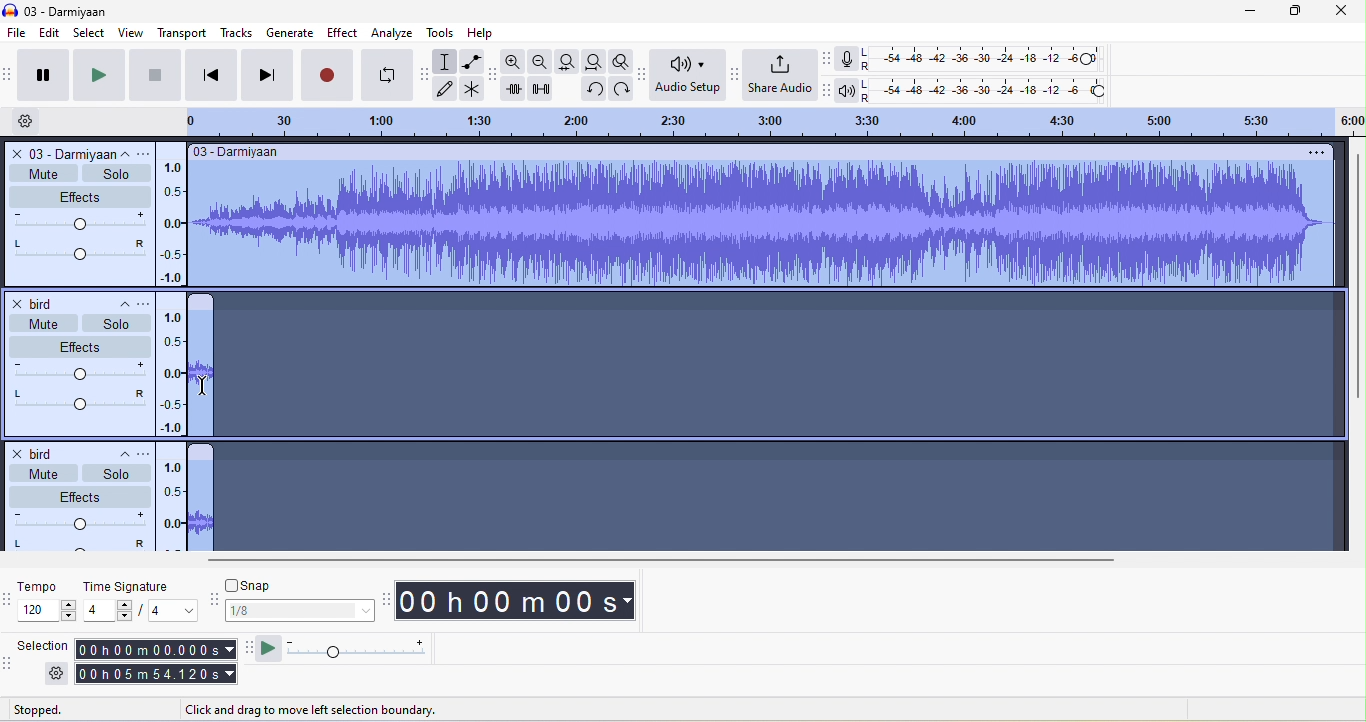 The height and width of the screenshot is (722, 1366). What do you see at coordinates (18, 33) in the screenshot?
I see `file` at bounding box center [18, 33].